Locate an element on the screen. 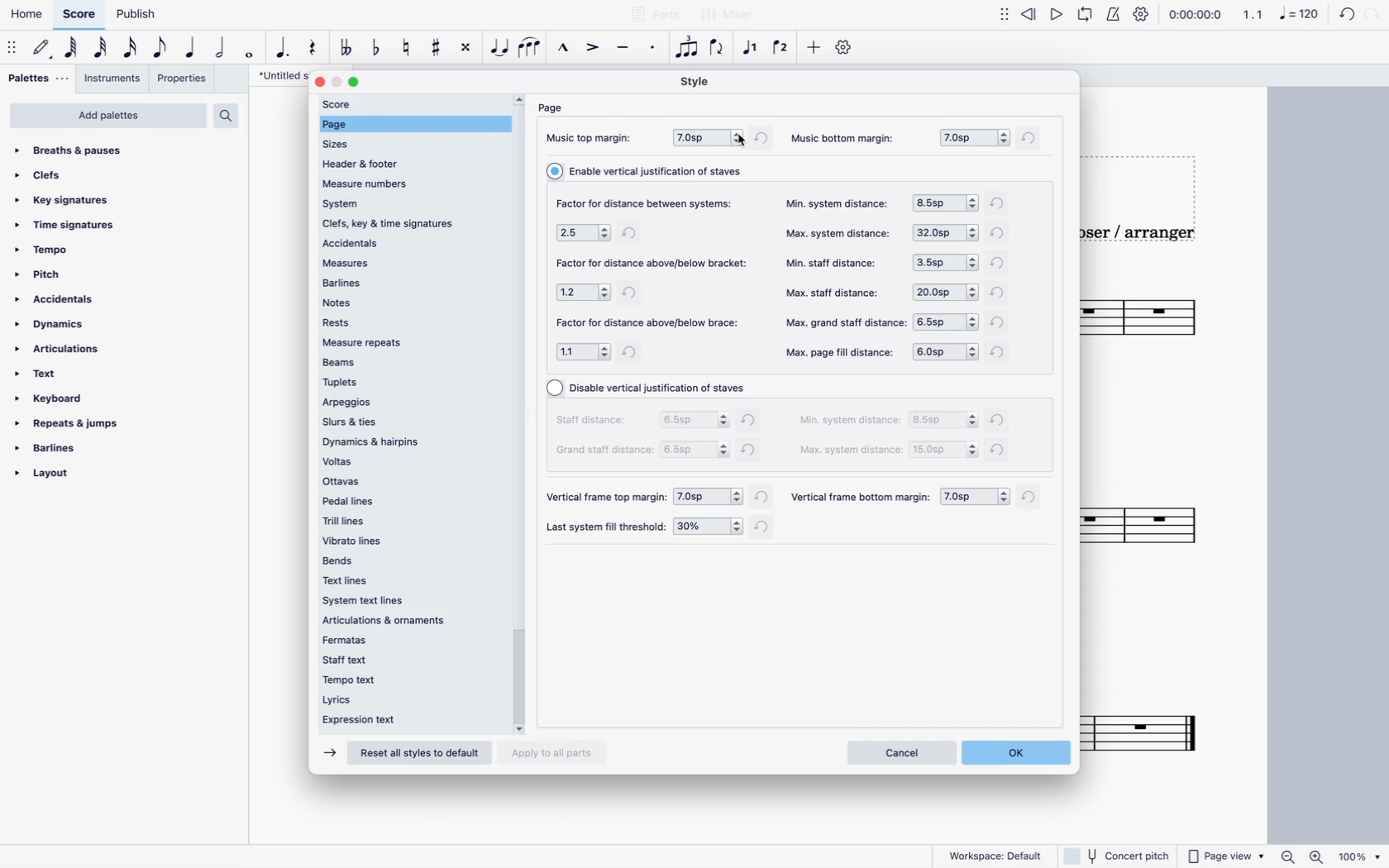 This screenshot has height=868, width=1389. refresh is located at coordinates (634, 355).